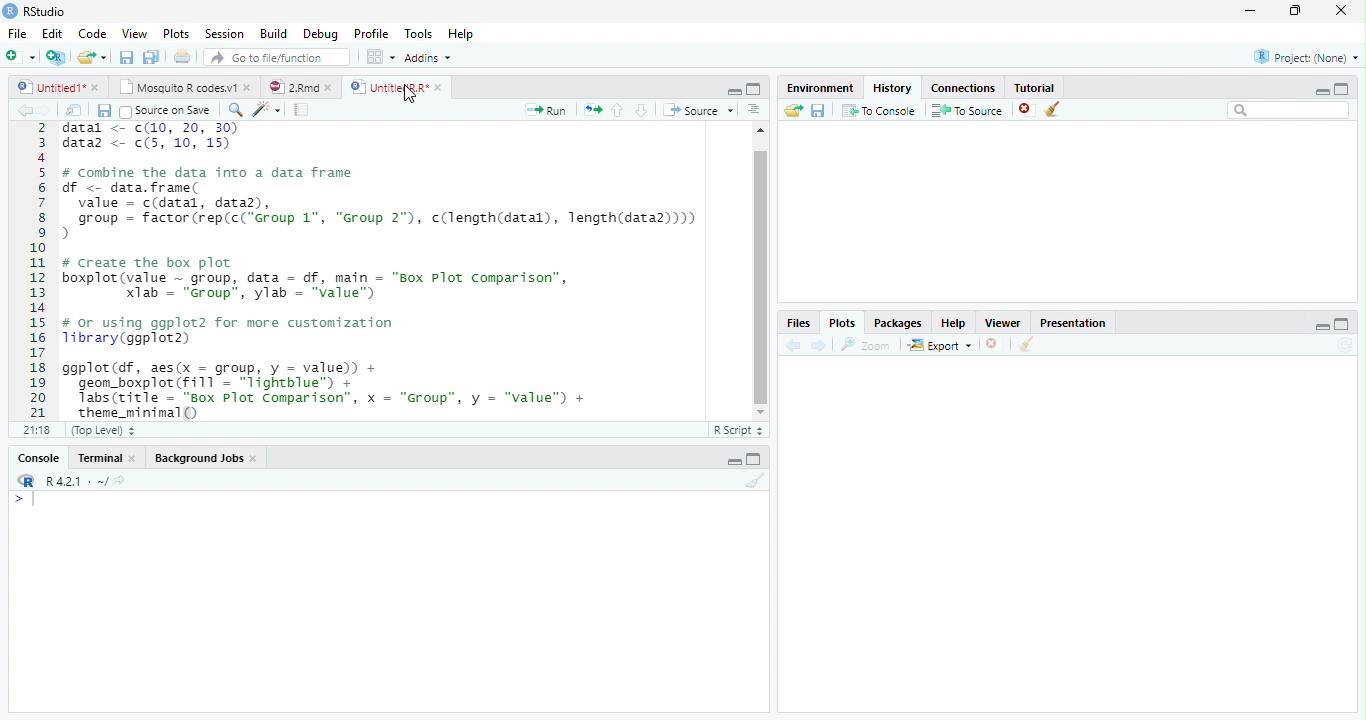 Image resolution: width=1366 pixels, height=720 pixels. I want to click on R, so click(26, 481).